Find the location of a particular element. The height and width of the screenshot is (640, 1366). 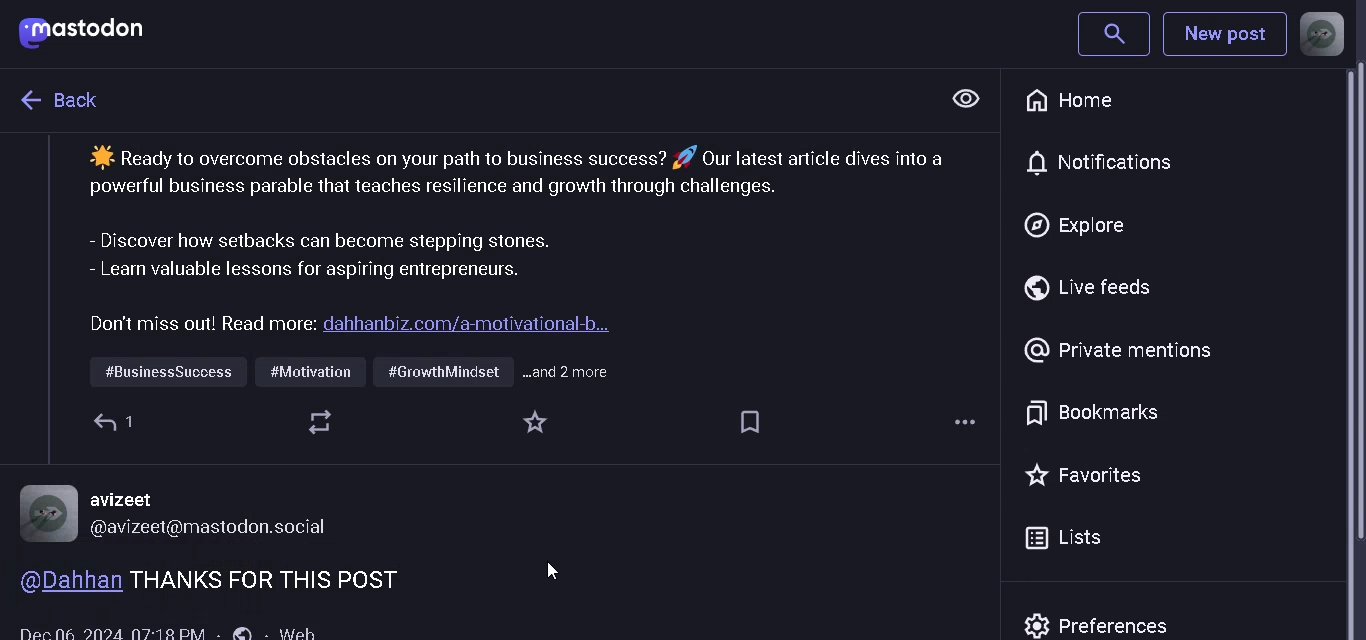

Refresh is located at coordinates (325, 425).